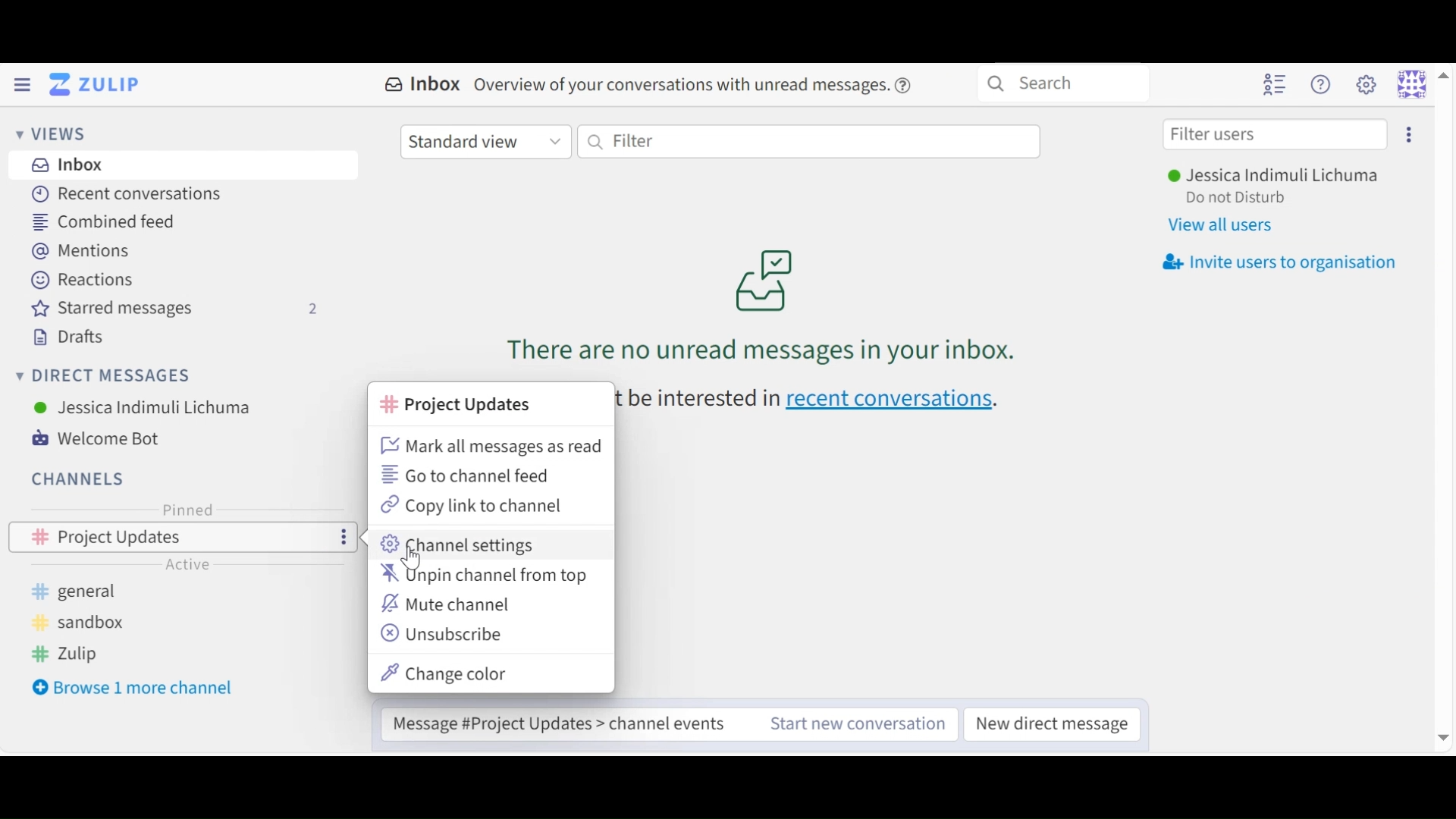  I want to click on Mentions, so click(90, 252).